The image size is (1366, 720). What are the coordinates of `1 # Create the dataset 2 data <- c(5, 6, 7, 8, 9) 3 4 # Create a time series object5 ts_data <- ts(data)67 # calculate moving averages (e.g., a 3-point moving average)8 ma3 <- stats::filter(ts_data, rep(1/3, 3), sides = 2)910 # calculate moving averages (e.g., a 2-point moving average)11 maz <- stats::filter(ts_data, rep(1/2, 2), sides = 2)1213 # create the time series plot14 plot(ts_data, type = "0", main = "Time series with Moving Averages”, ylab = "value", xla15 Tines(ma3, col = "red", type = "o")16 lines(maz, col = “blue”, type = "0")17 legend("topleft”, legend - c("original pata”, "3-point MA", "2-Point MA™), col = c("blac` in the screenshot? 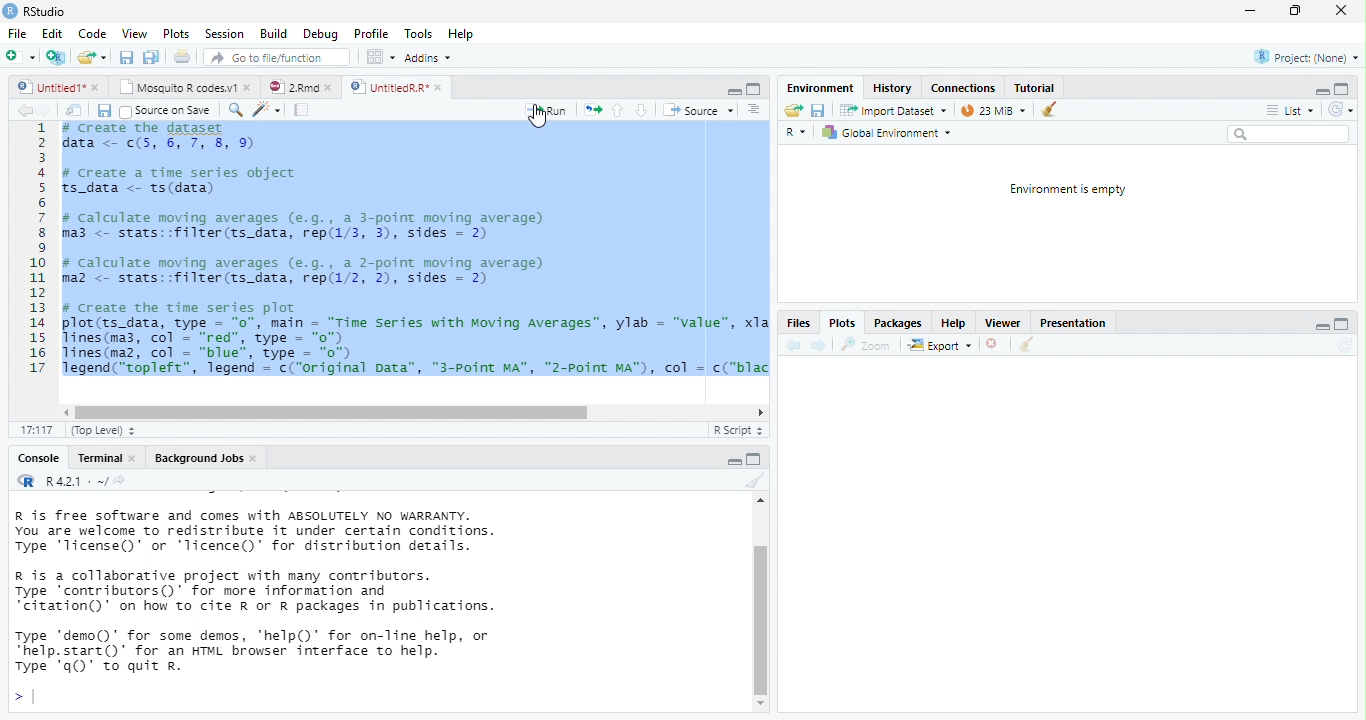 It's located at (396, 249).